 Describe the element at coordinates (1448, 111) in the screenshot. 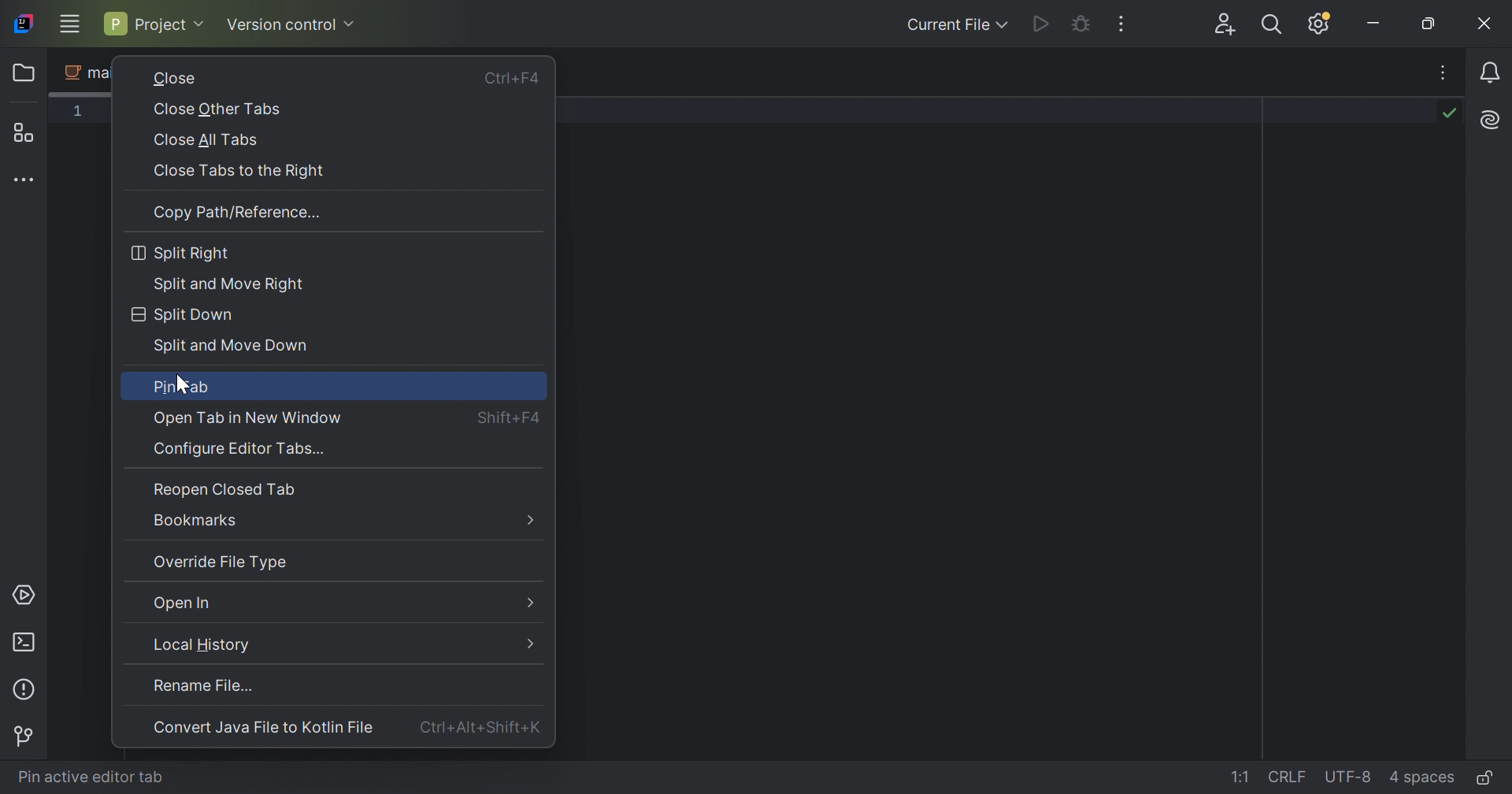

I see `No problems found` at that location.